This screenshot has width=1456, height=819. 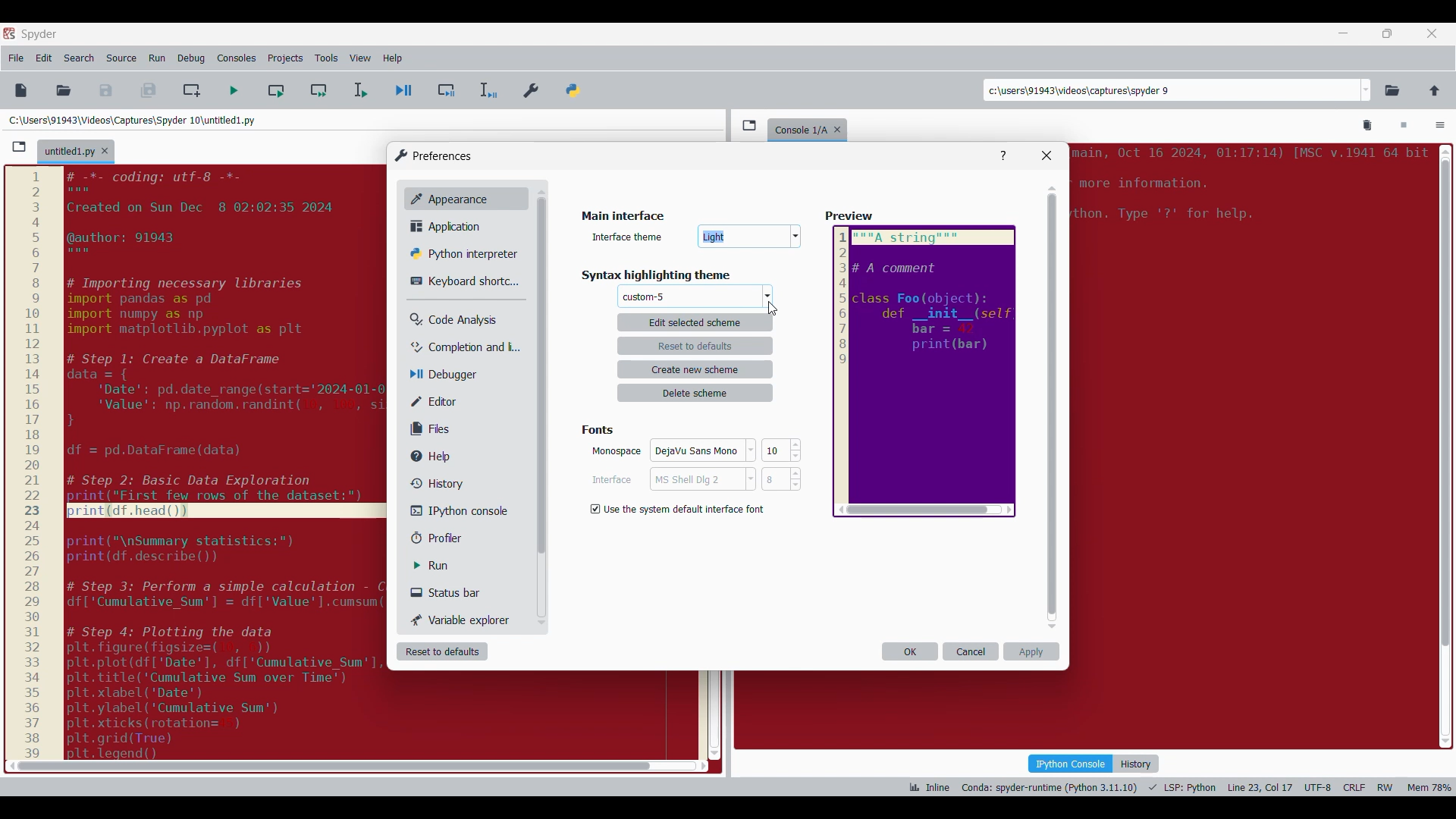 I want to click on Vertical slide bar, so click(x=1053, y=407).